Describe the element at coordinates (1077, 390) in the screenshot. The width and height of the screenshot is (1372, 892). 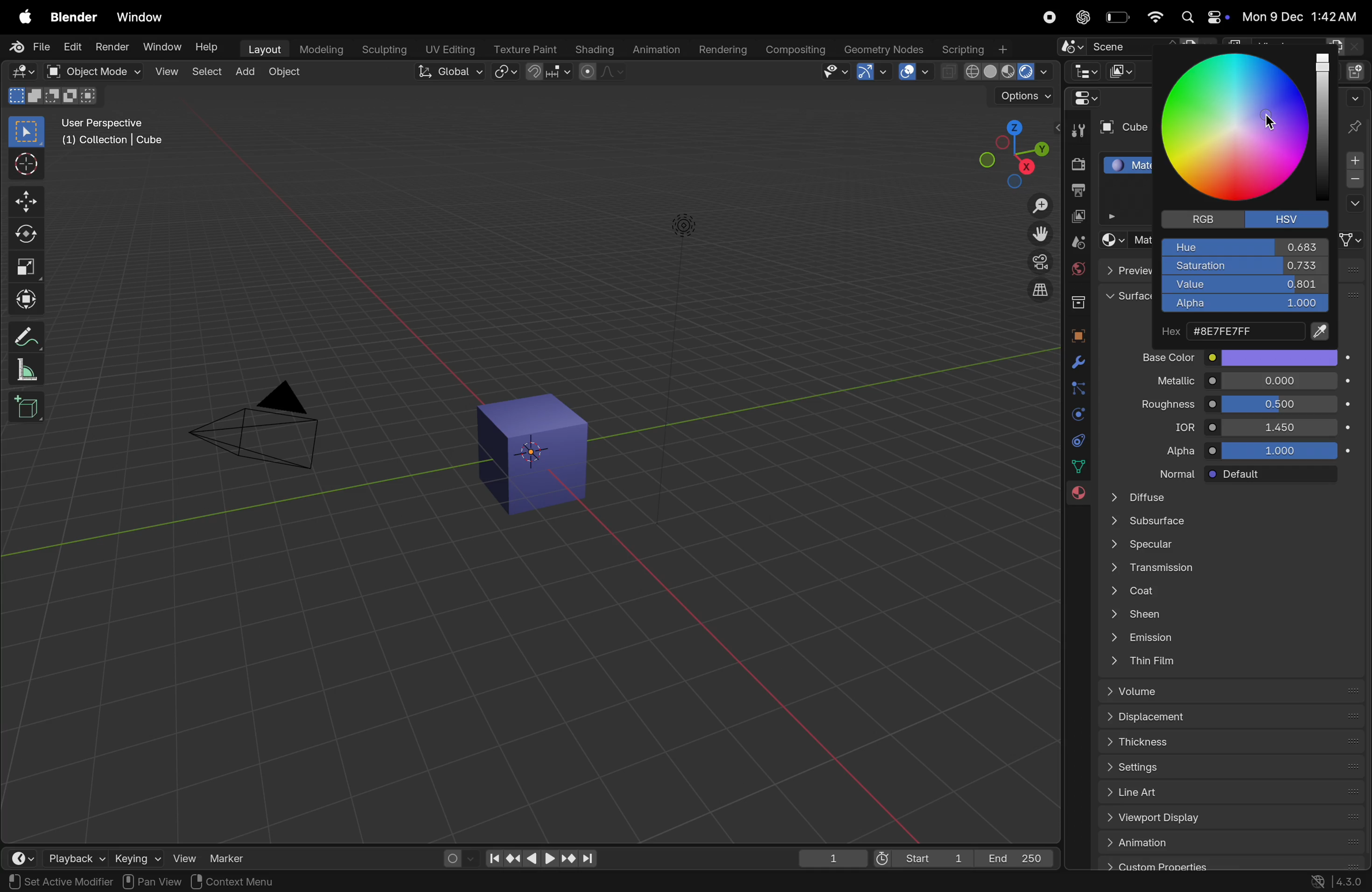
I see `particle` at that location.